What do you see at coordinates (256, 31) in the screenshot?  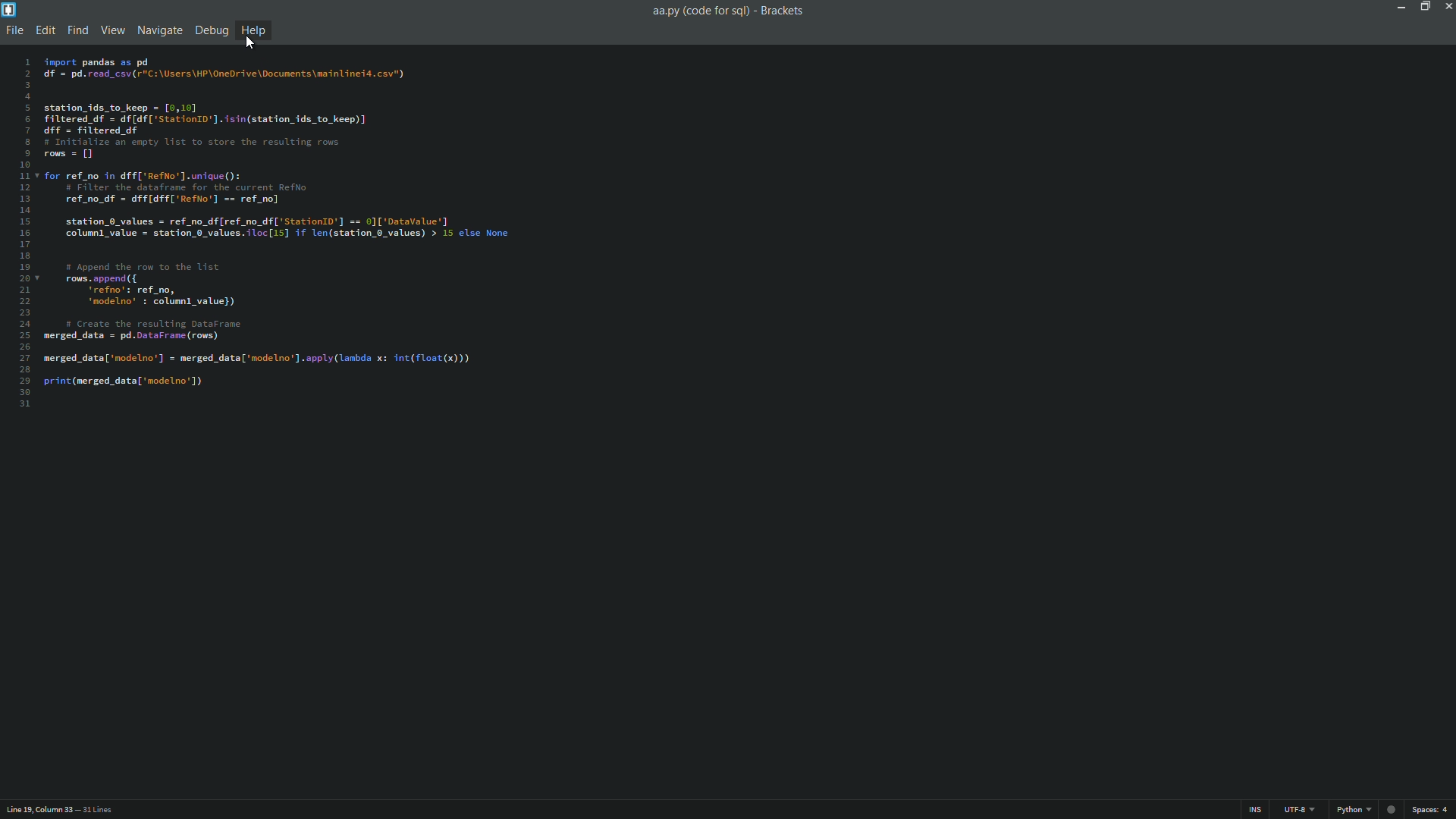 I see `help menu` at bounding box center [256, 31].